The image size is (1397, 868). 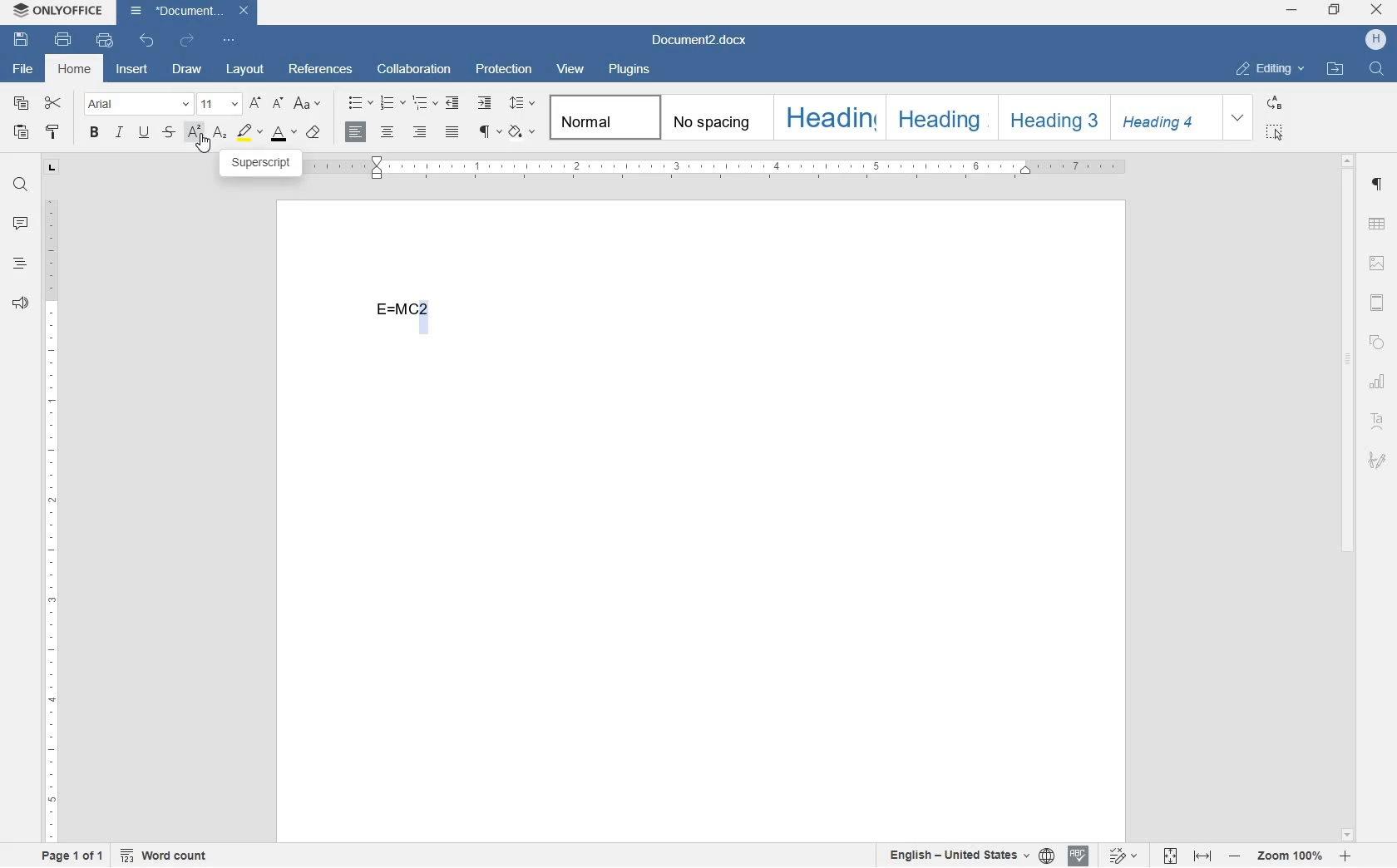 What do you see at coordinates (1379, 343) in the screenshot?
I see `shape` at bounding box center [1379, 343].